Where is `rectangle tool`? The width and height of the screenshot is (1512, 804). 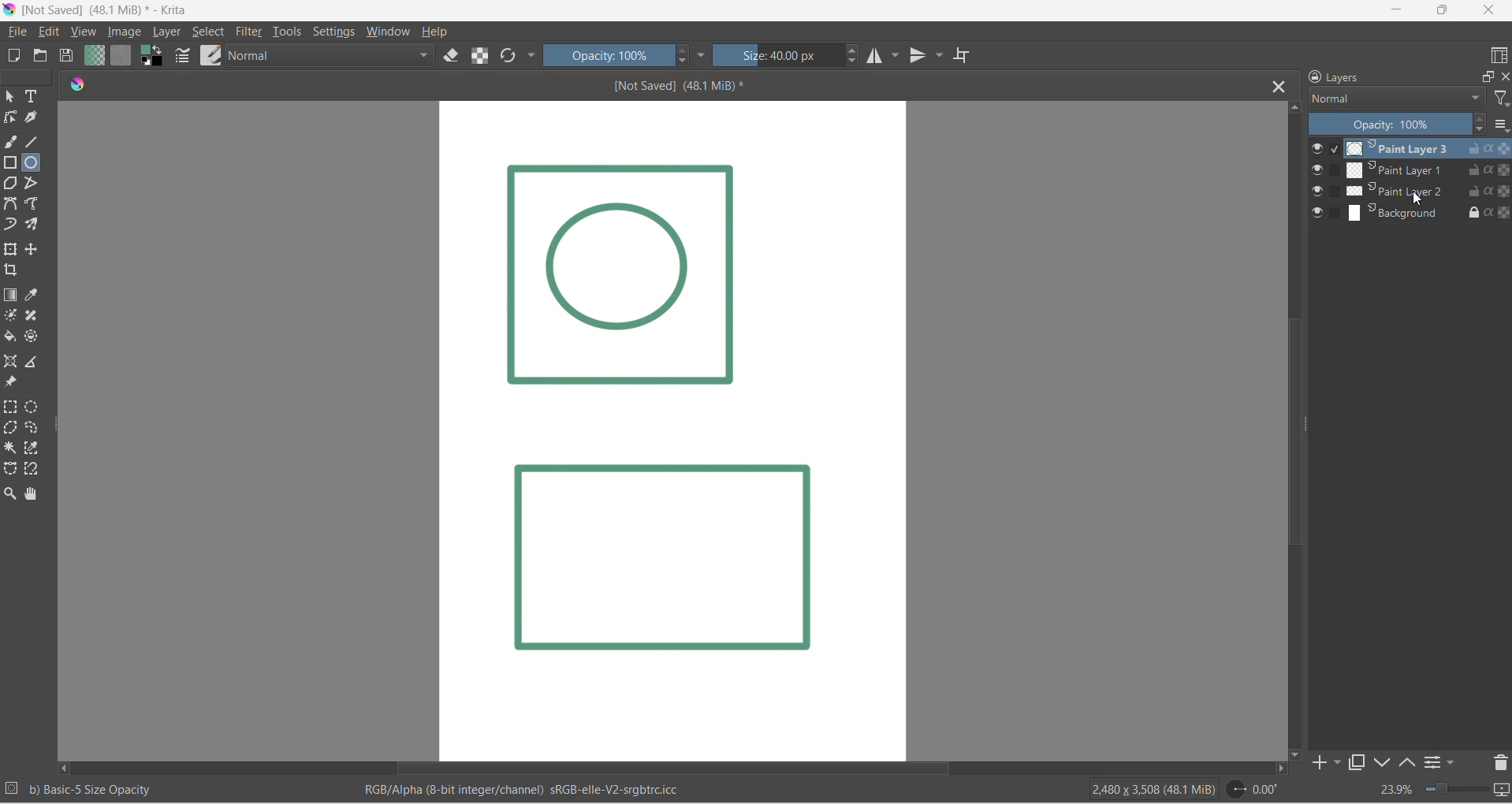
rectangle tool is located at coordinates (10, 163).